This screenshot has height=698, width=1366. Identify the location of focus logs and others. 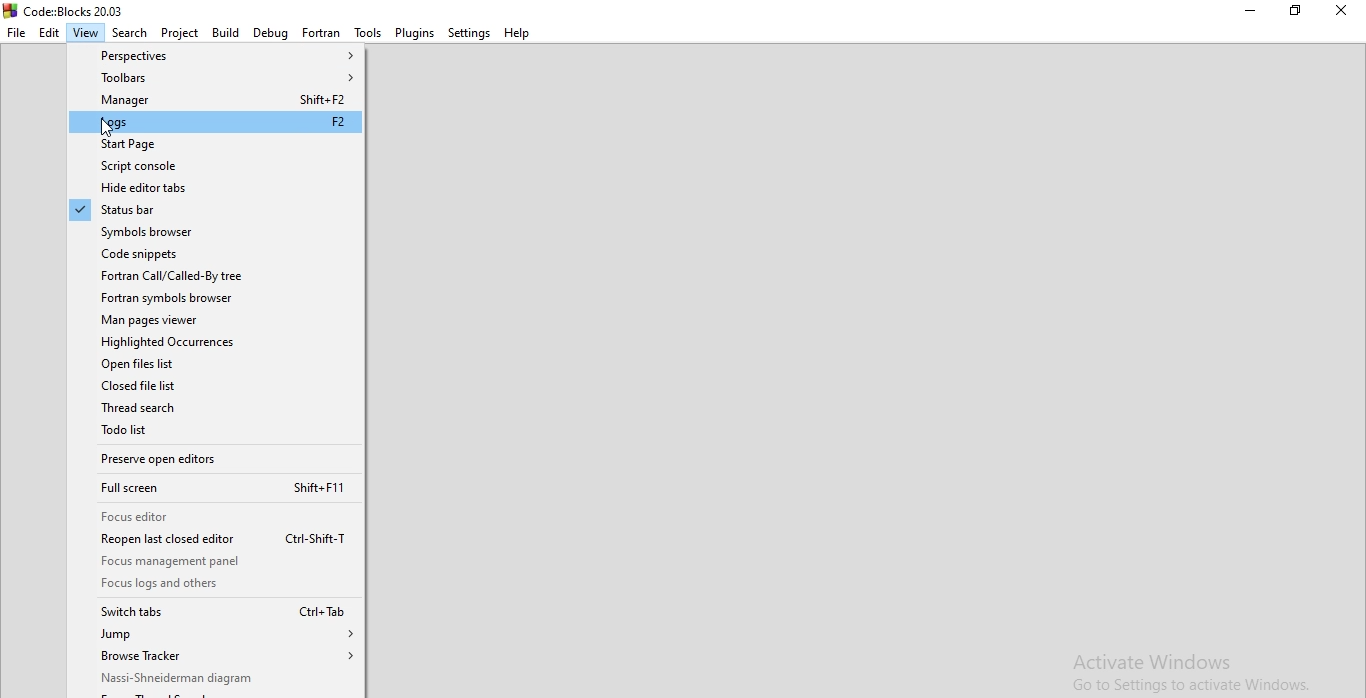
(217, 584).